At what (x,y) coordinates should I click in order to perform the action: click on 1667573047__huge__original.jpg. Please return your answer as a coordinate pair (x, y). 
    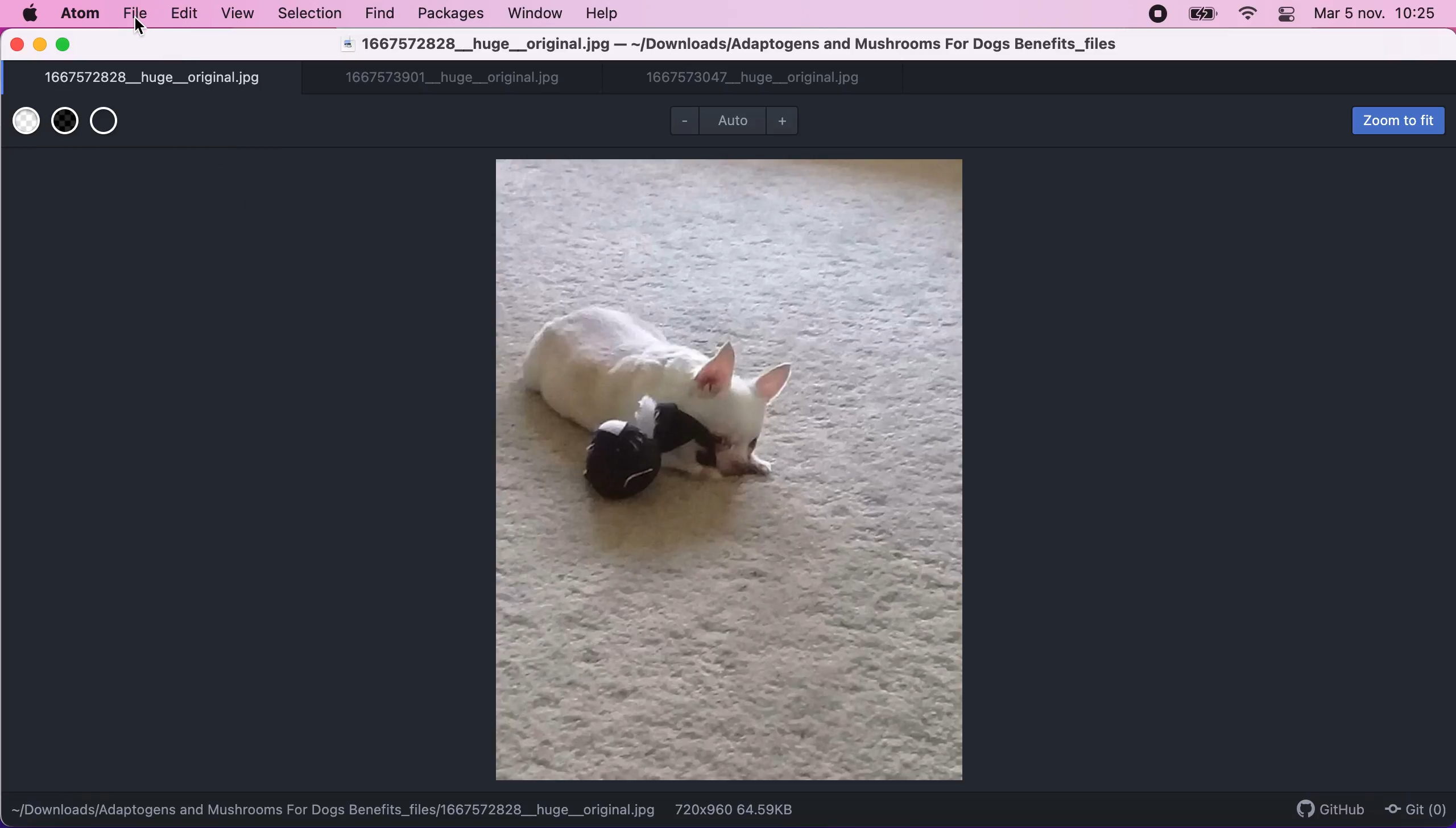
    Looking at the image, I should click on (754, 80).